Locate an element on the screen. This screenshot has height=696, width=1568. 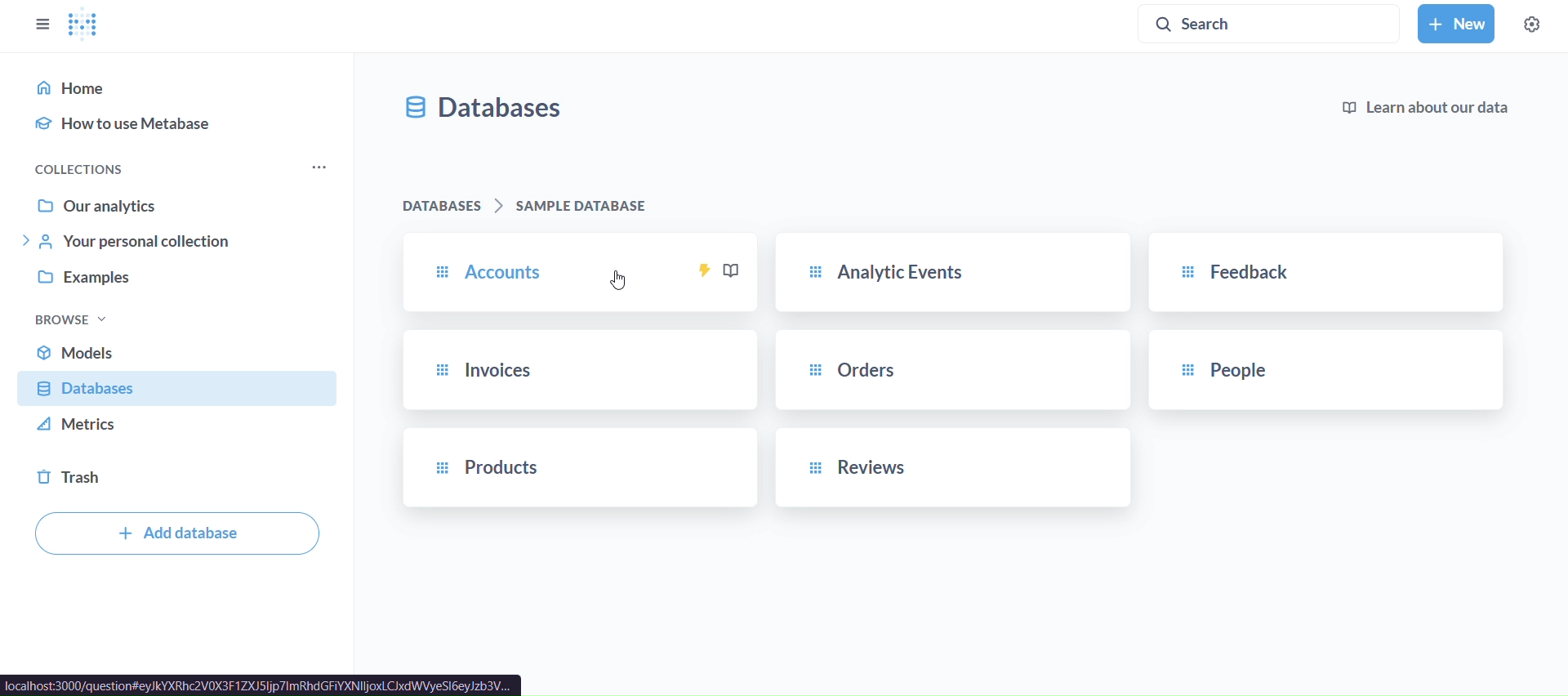
more is located at coordinates (319, 167).